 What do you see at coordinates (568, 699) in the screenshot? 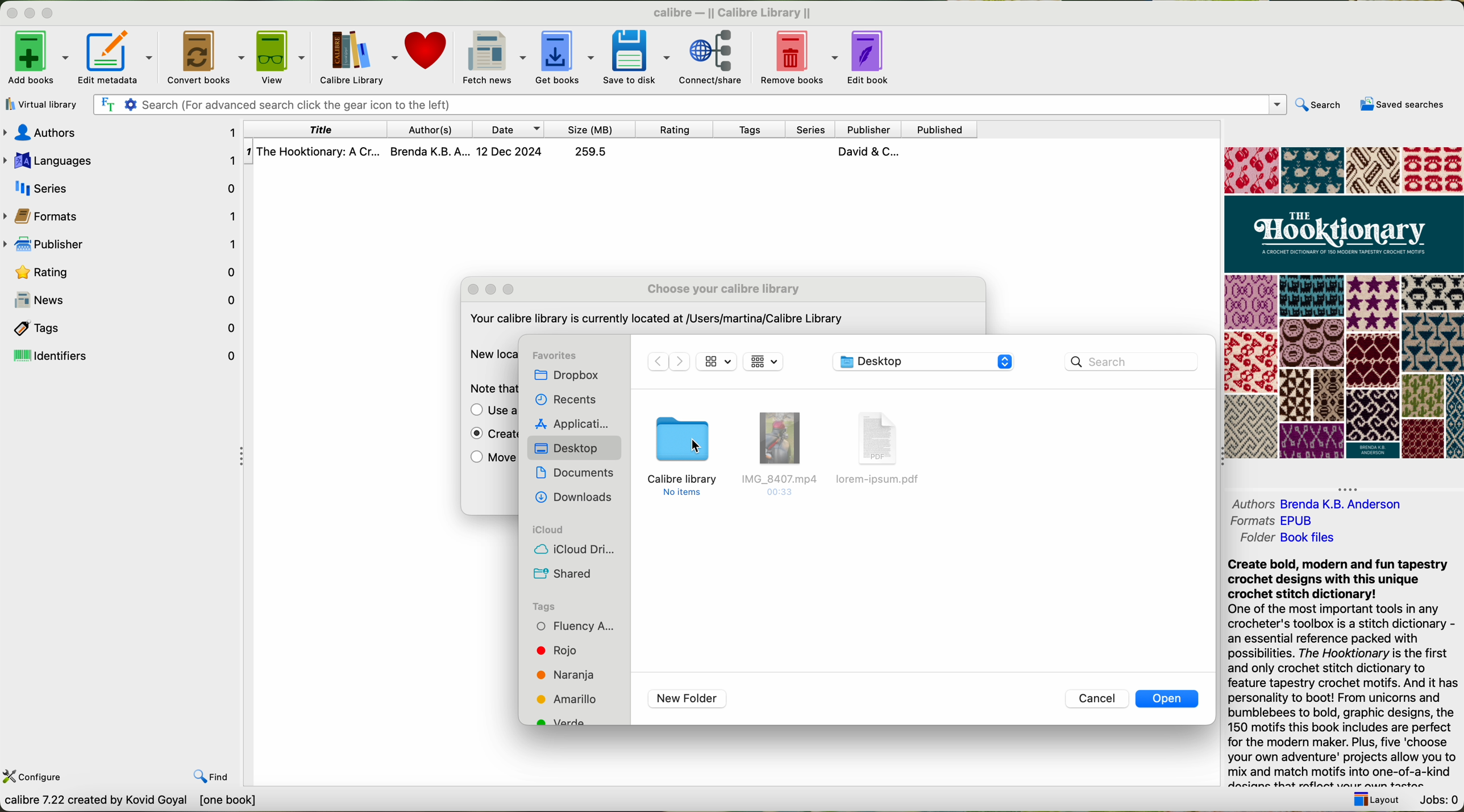
I see `tag` at bounding box center [568, 699].